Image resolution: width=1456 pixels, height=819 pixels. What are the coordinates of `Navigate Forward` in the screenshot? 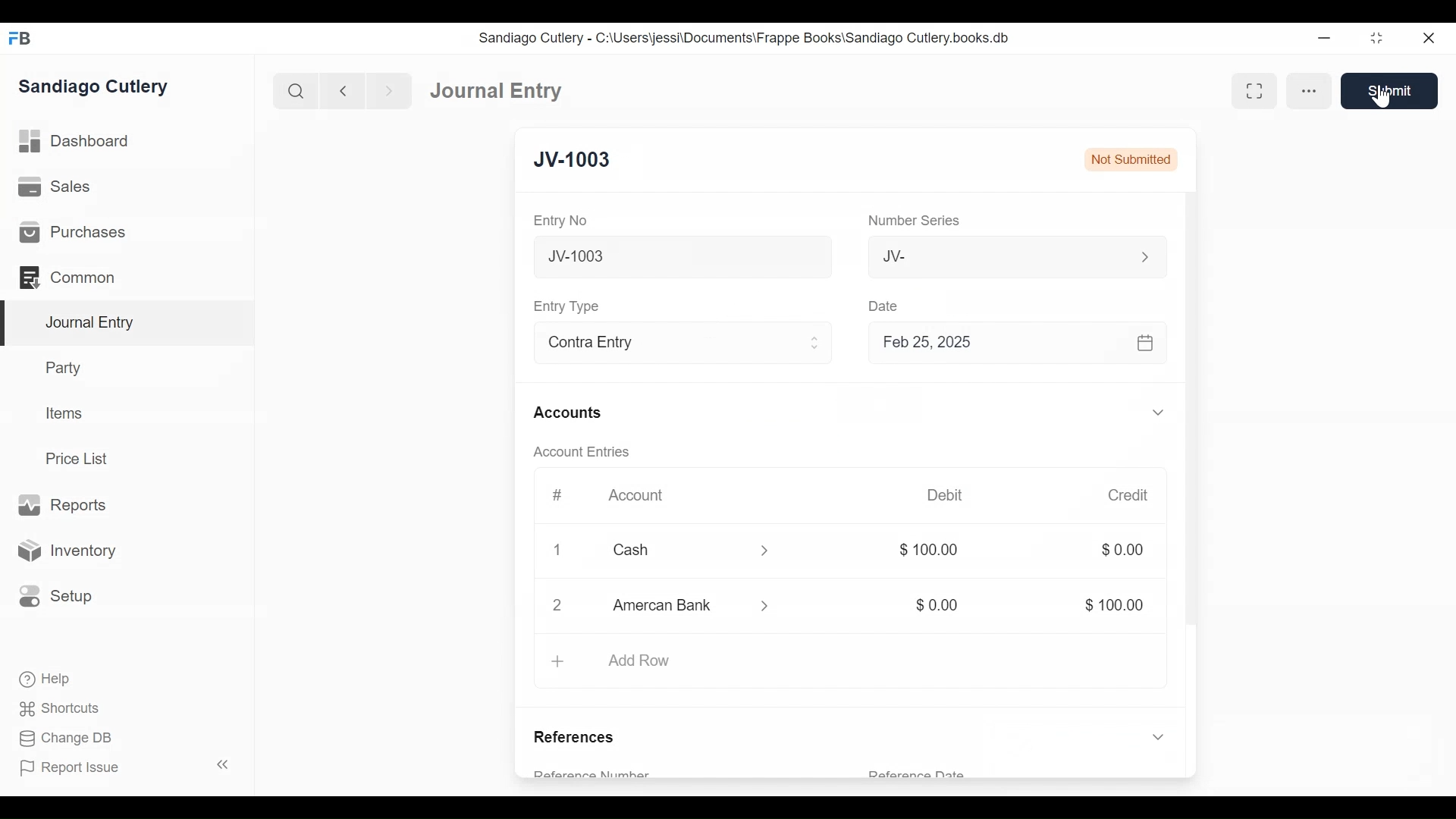 It's located at (390, 89).